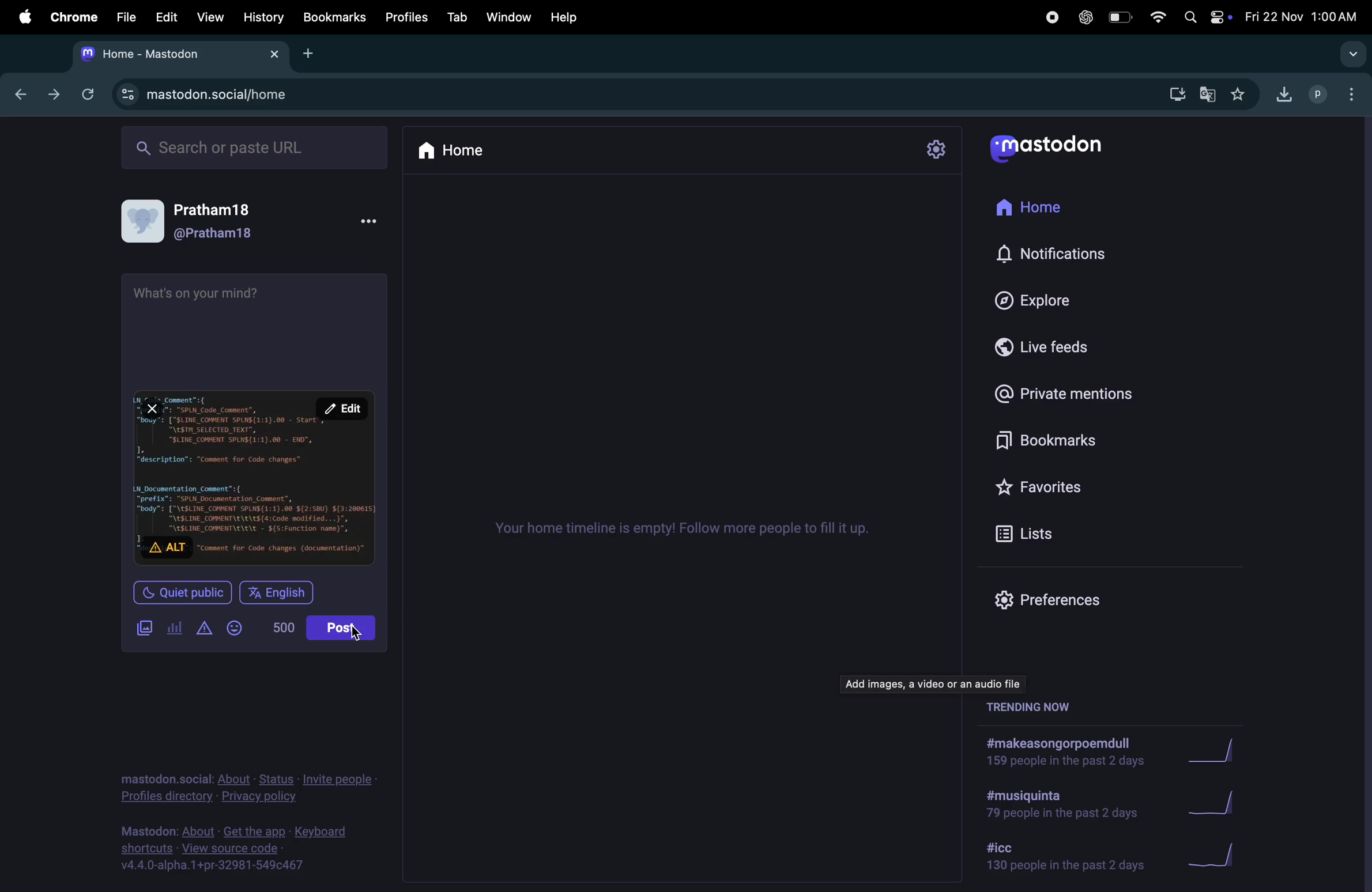  Describe the element at coordinates (1053, 211) in the screenshot. I see `home` at that location.